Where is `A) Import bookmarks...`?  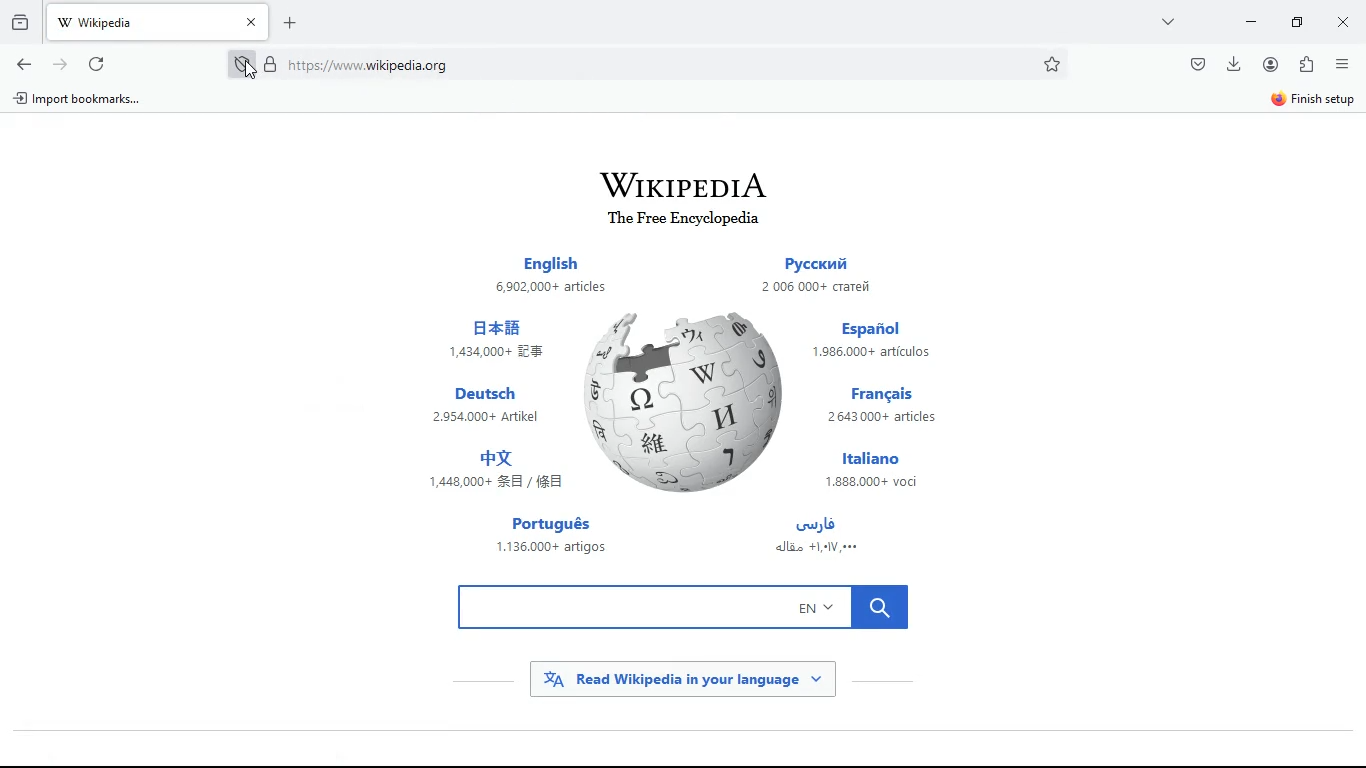
A) Import bookmarks... is located at coordinates (76, 98).